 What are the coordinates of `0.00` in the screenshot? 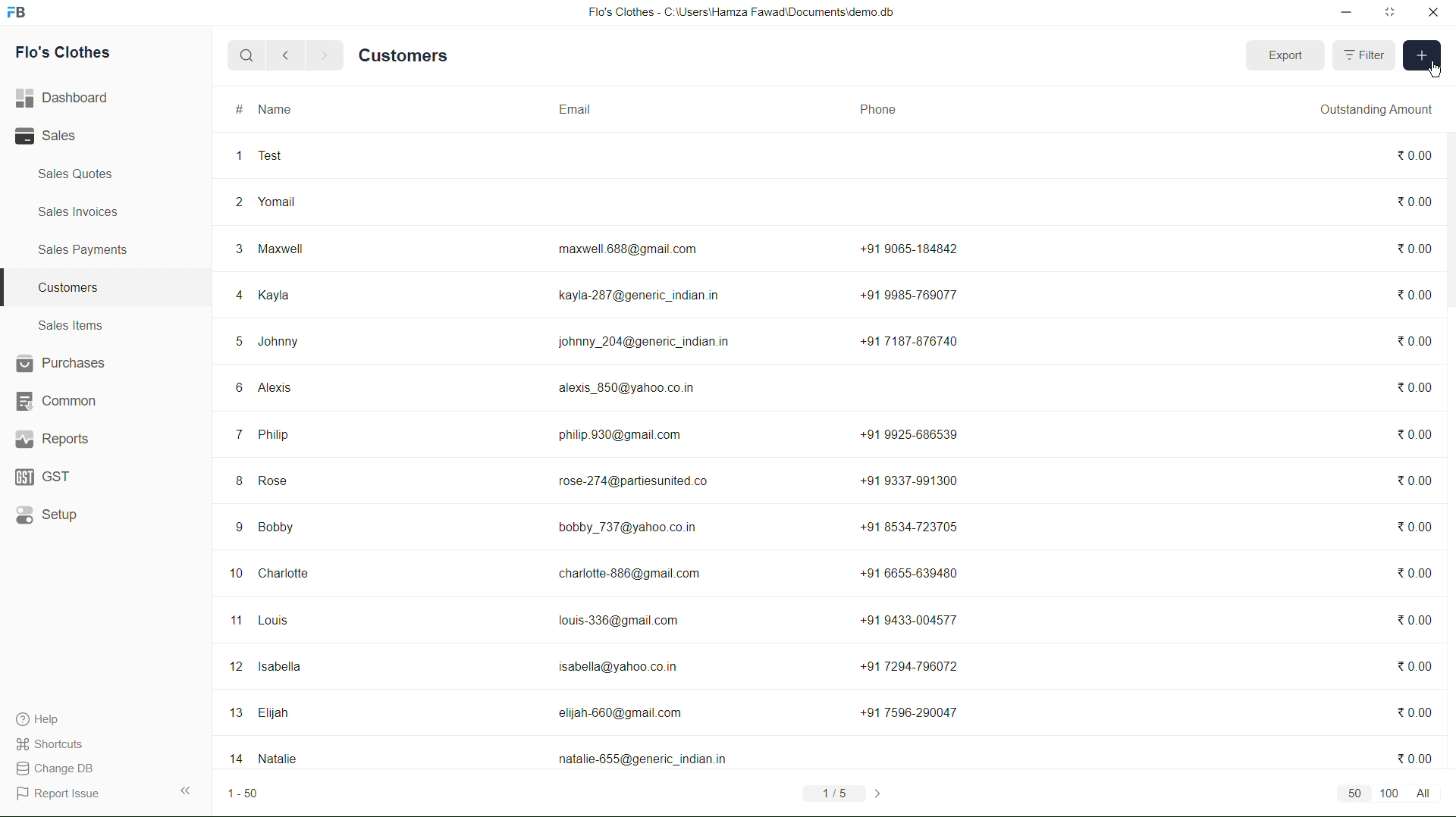 It's located at (1417, 757).